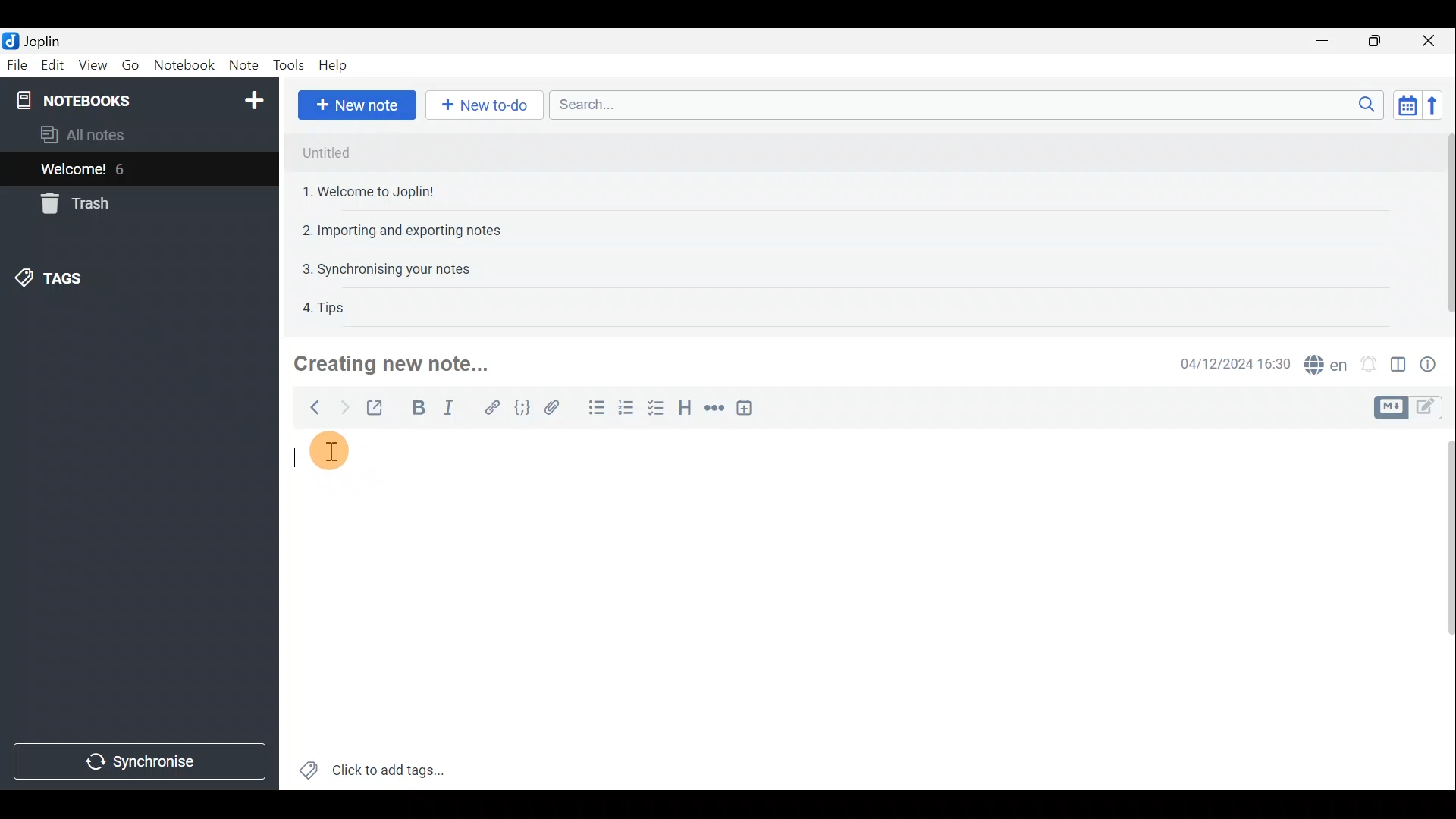 The width and height of the screenshot is (1456, 819). What do you see at coordinates (342, 407) in the screenshot?
I see `Forward` at bounding box center [342, 407].